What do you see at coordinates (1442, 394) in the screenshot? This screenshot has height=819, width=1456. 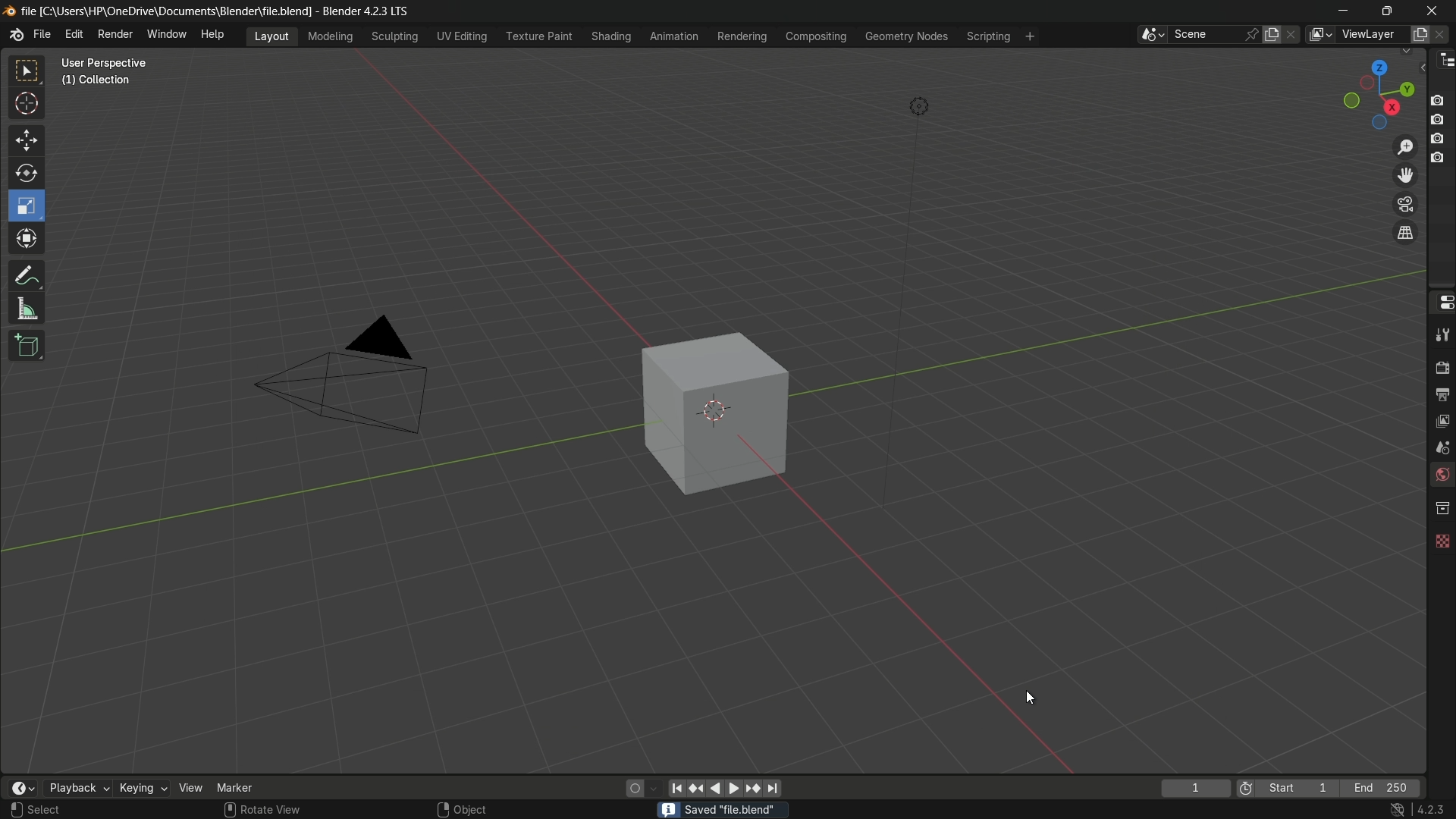 I see `output` at bounding box center [1442, 394].